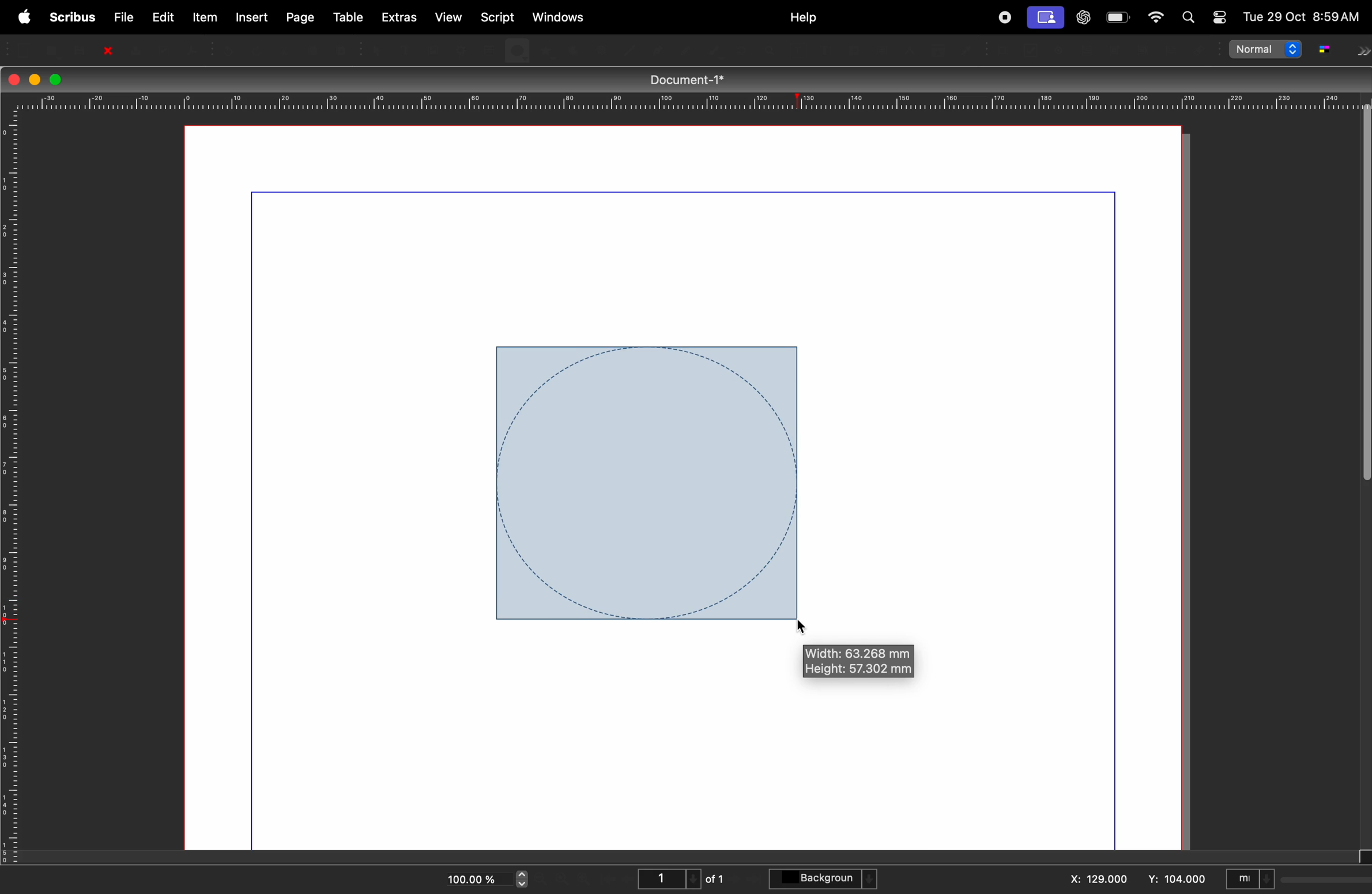 The width and height of the screenshot is (1372, 894). I want to click on chatgpt, so click(1083, 16).